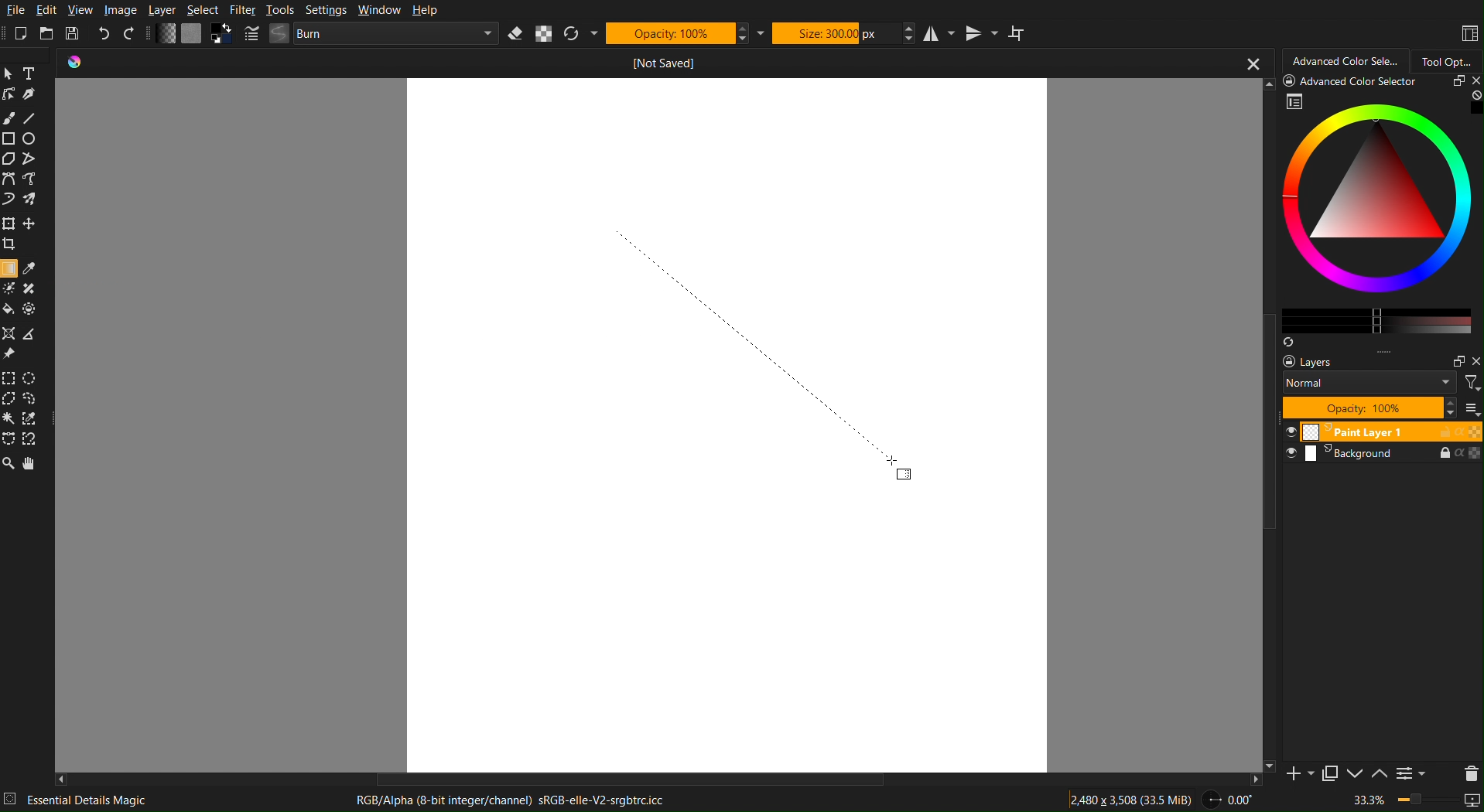 The width and height of the screenshot is (1484, 812). I want to click on Help, so click(422, 11).